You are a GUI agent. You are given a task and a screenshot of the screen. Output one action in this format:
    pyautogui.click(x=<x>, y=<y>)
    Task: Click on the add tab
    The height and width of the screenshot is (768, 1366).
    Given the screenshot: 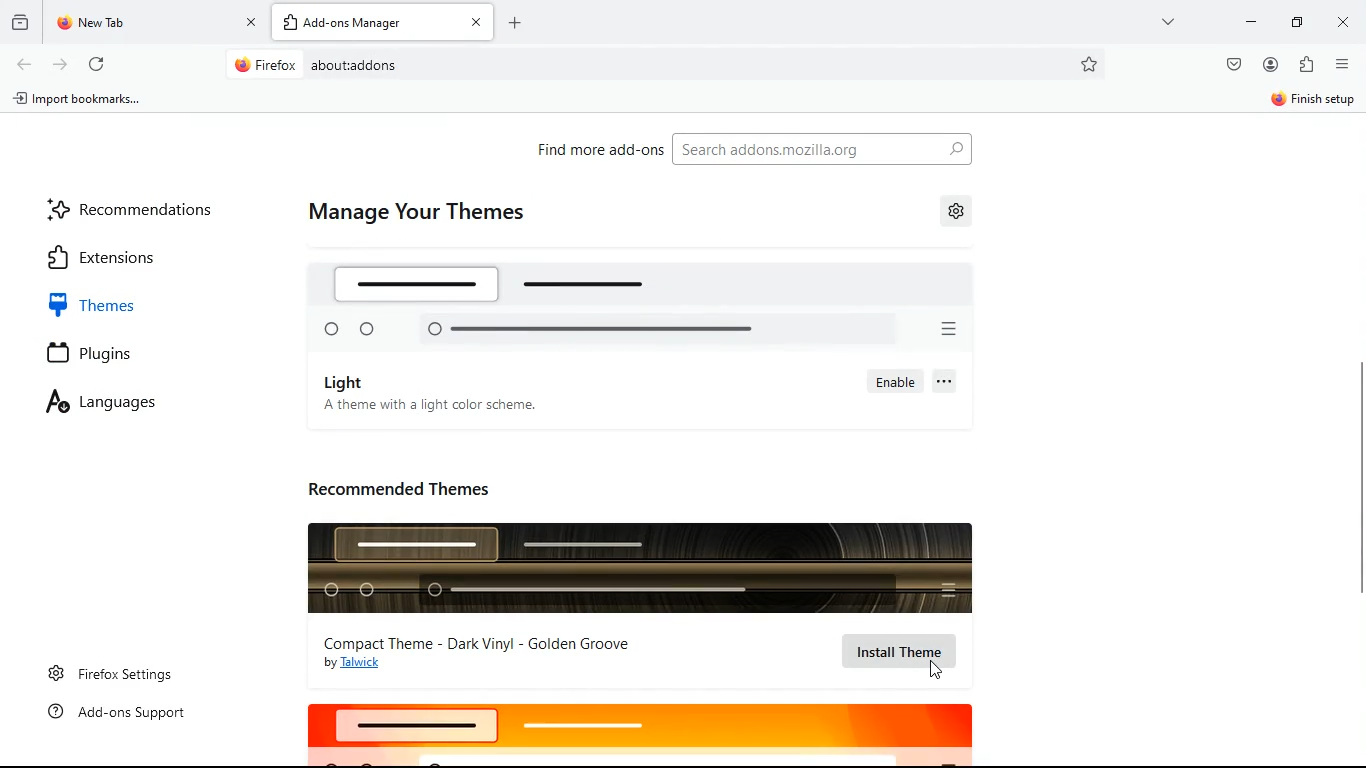 What is the action you would take?
    pyautogui.click(x=293, y=24)
    